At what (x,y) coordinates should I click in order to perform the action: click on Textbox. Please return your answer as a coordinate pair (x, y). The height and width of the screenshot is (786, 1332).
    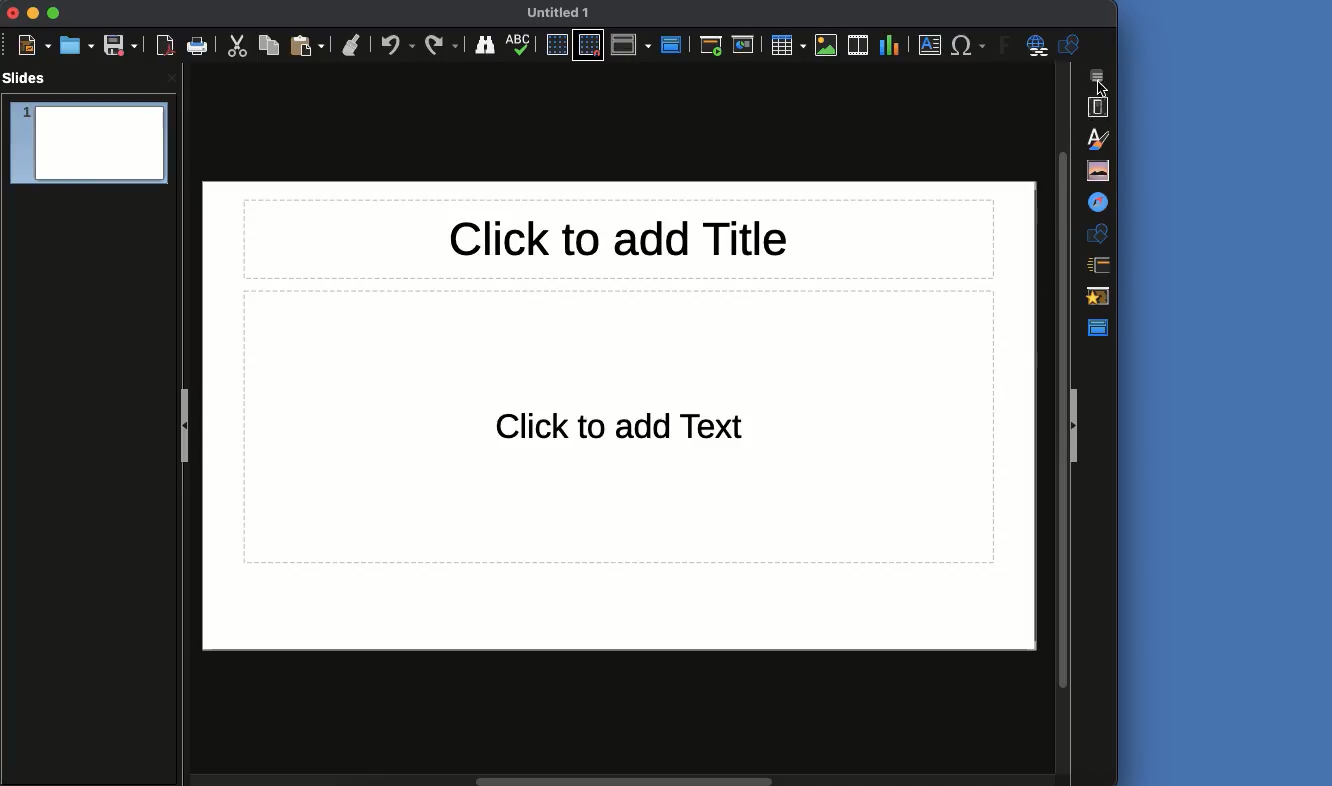
    Looking at the image, I should click on (931, 46).